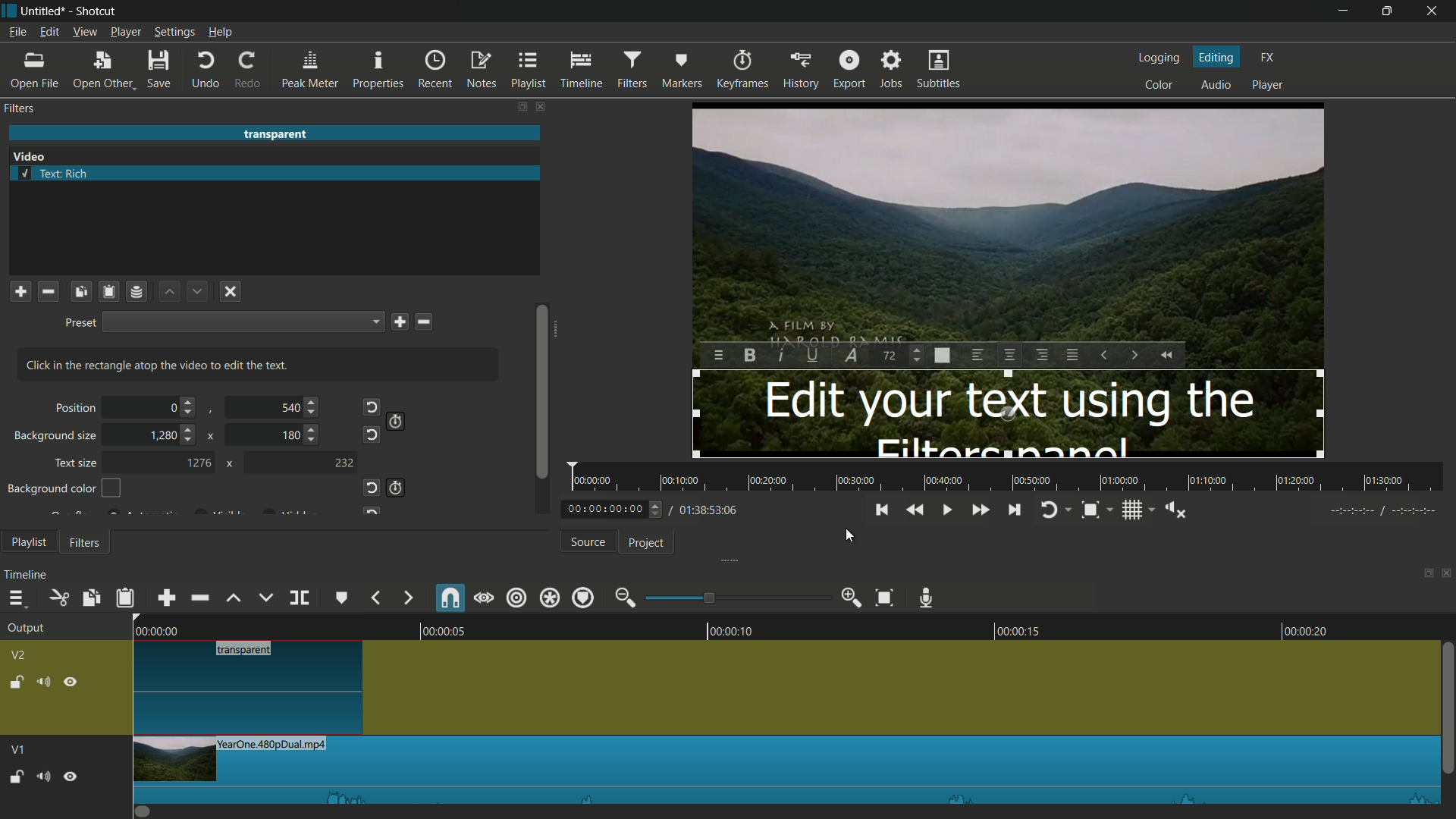 The width and height of the screenshot is (1456, 819). Describe the element at coordinates (20, 654) in the screenshot. I see `v2` at that location.